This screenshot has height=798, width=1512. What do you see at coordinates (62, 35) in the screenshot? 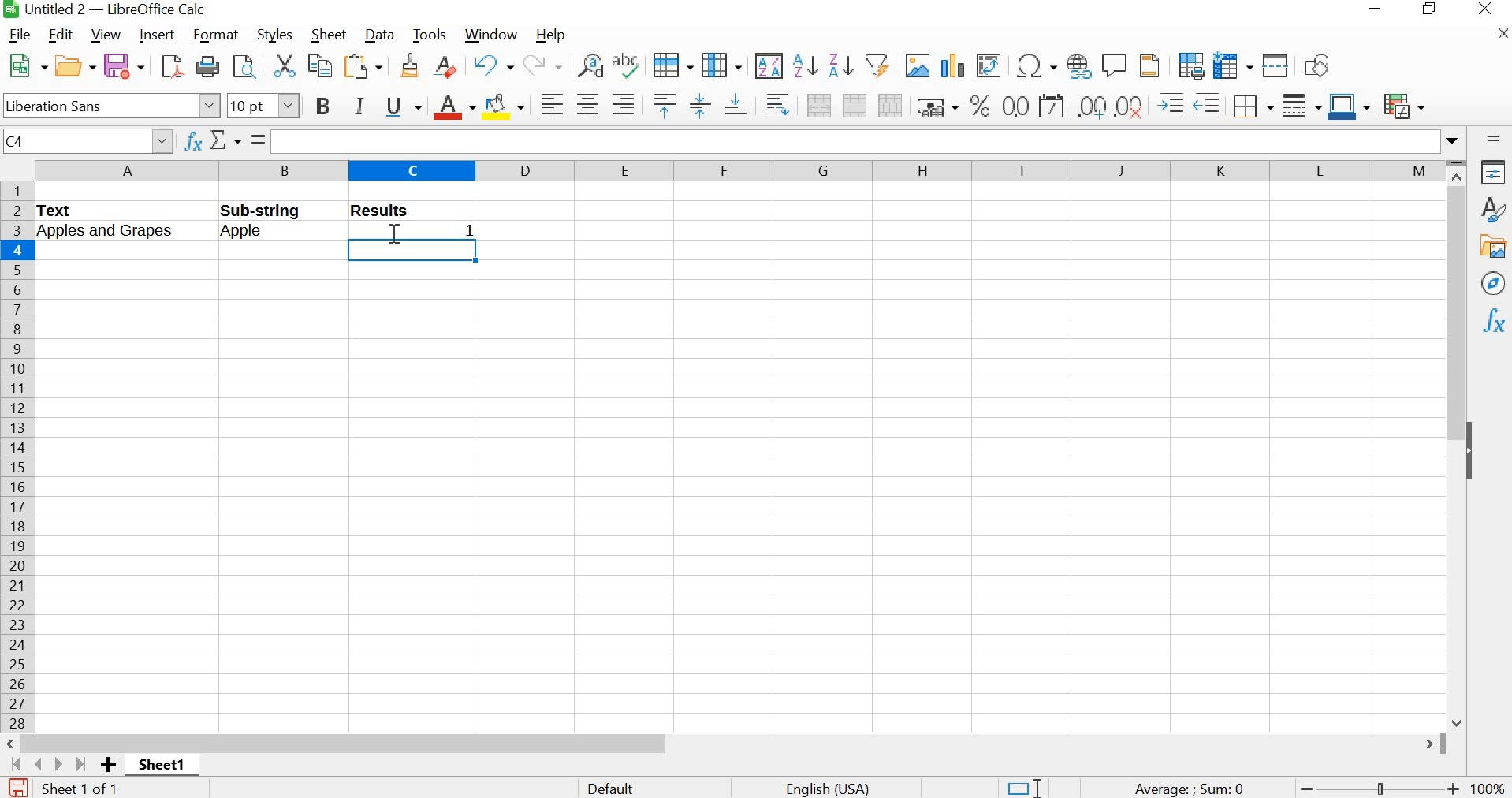
I see `edit` at bounding box center [62, 35].